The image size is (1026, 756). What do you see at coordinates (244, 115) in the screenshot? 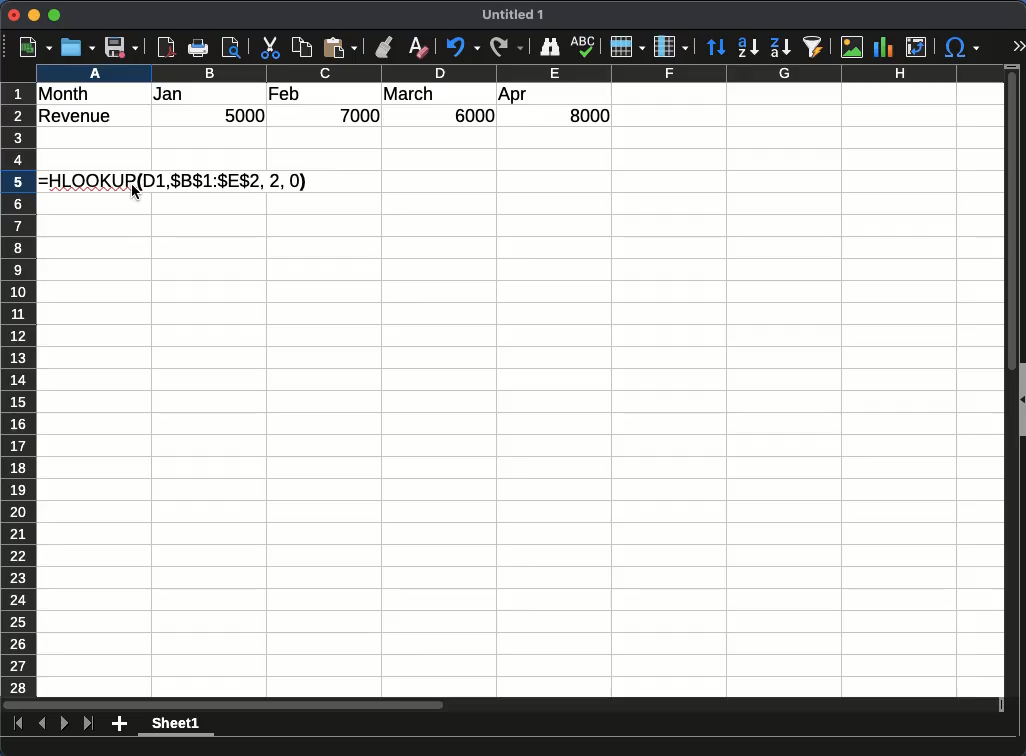
I see `5000` at bounding box center [244, 115].